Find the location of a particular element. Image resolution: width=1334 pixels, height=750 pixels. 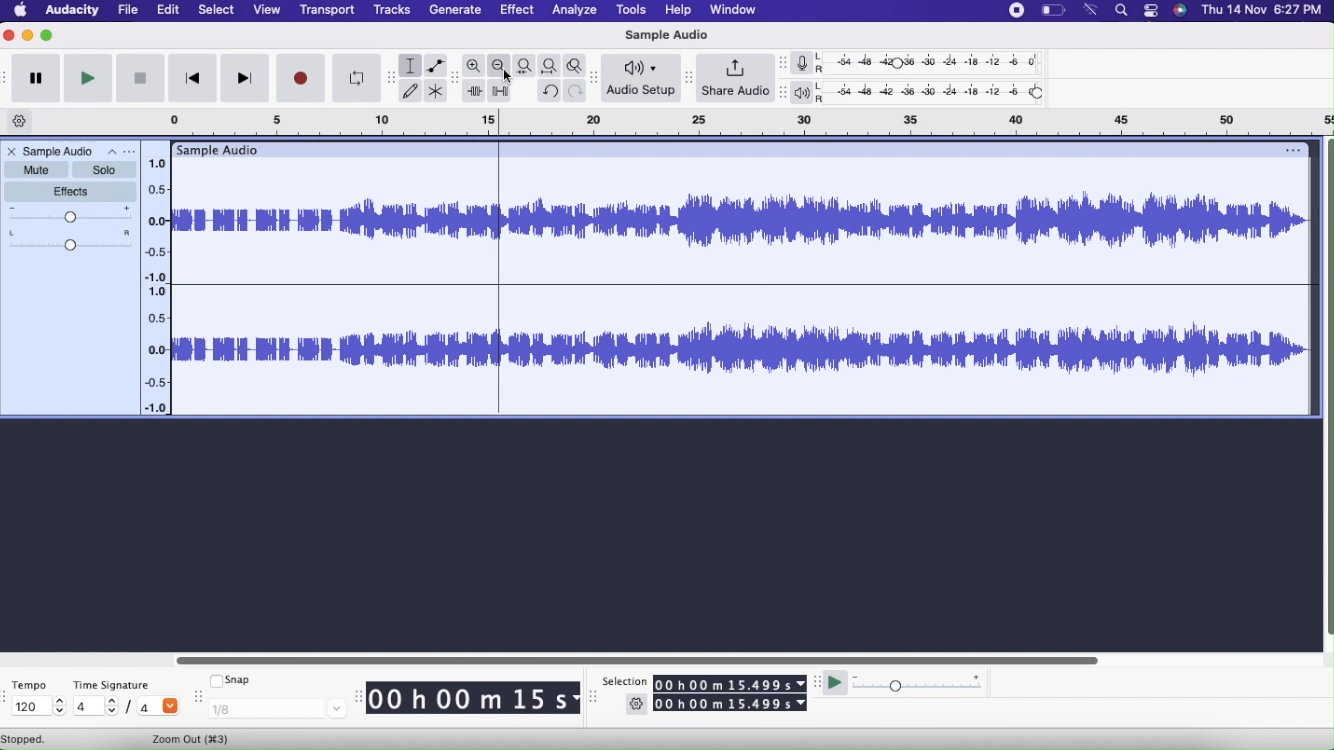

Record meter is located at coordinates (807, 62).